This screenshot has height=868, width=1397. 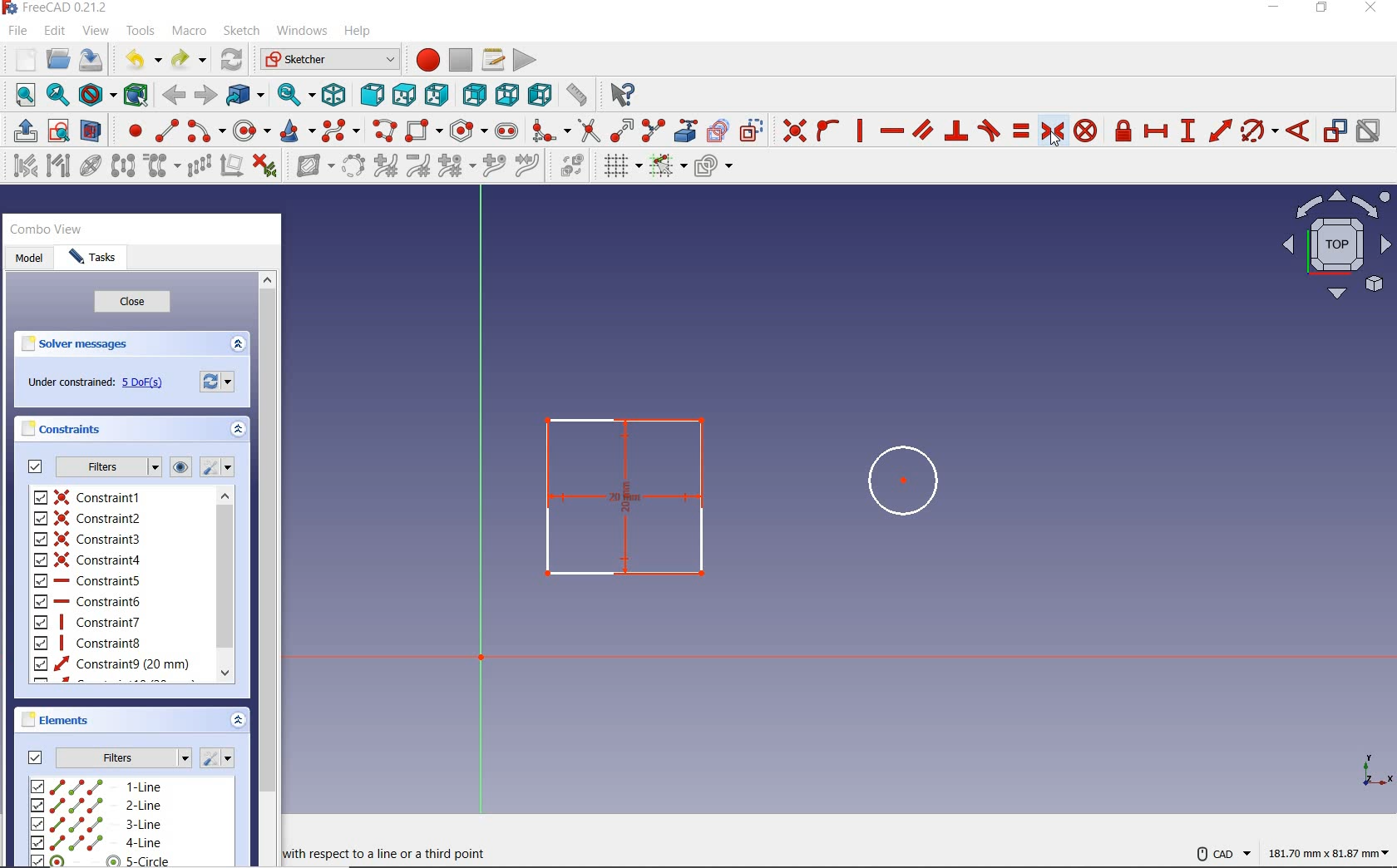 What do you see at coordinates (87, 580) in the screenshot?
I see `constraint5` at bounding box center [87, 580].